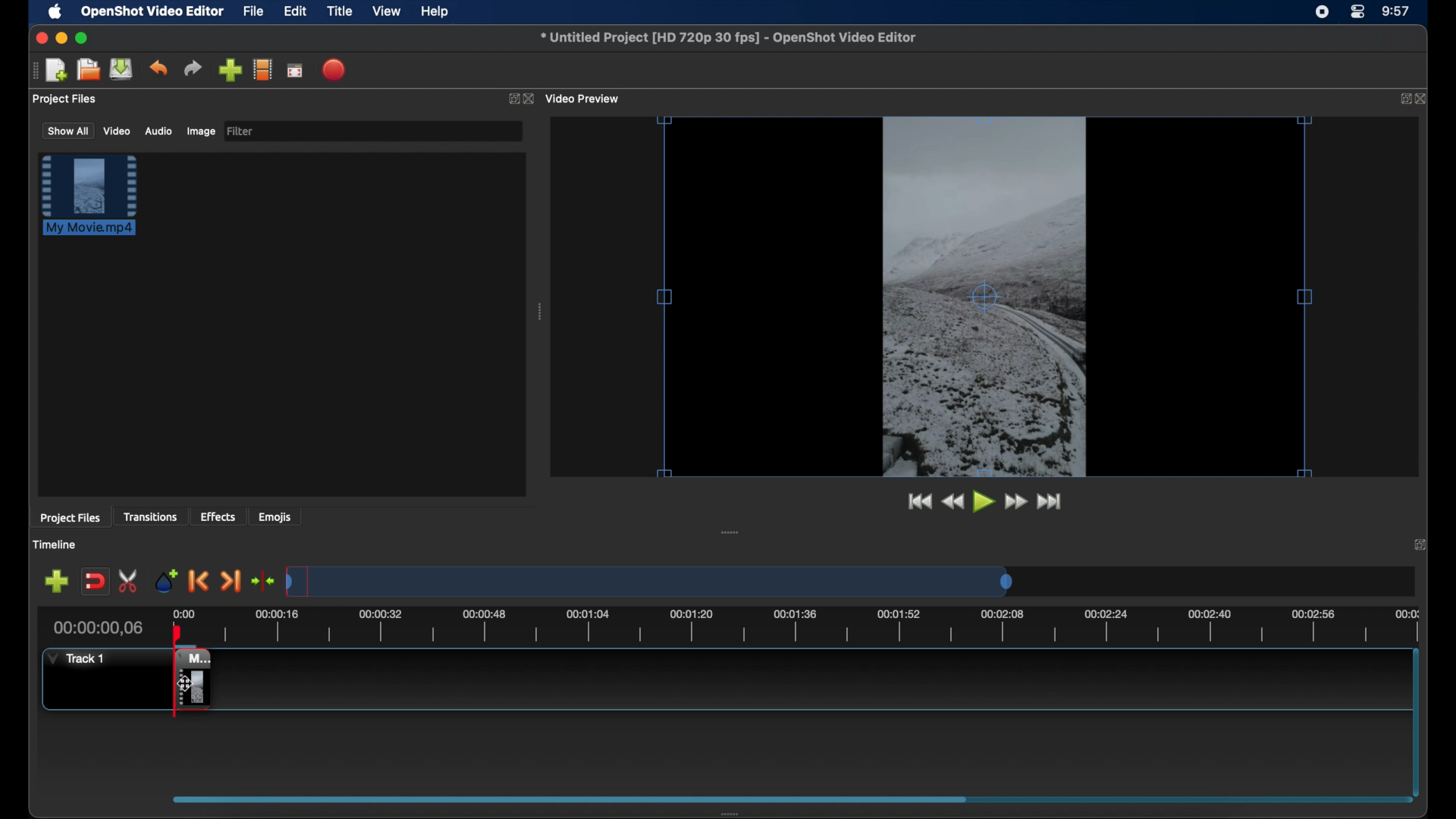  Describe the element at coordinates (129, 582) in the screenshot. I see `enable razor` at that location.